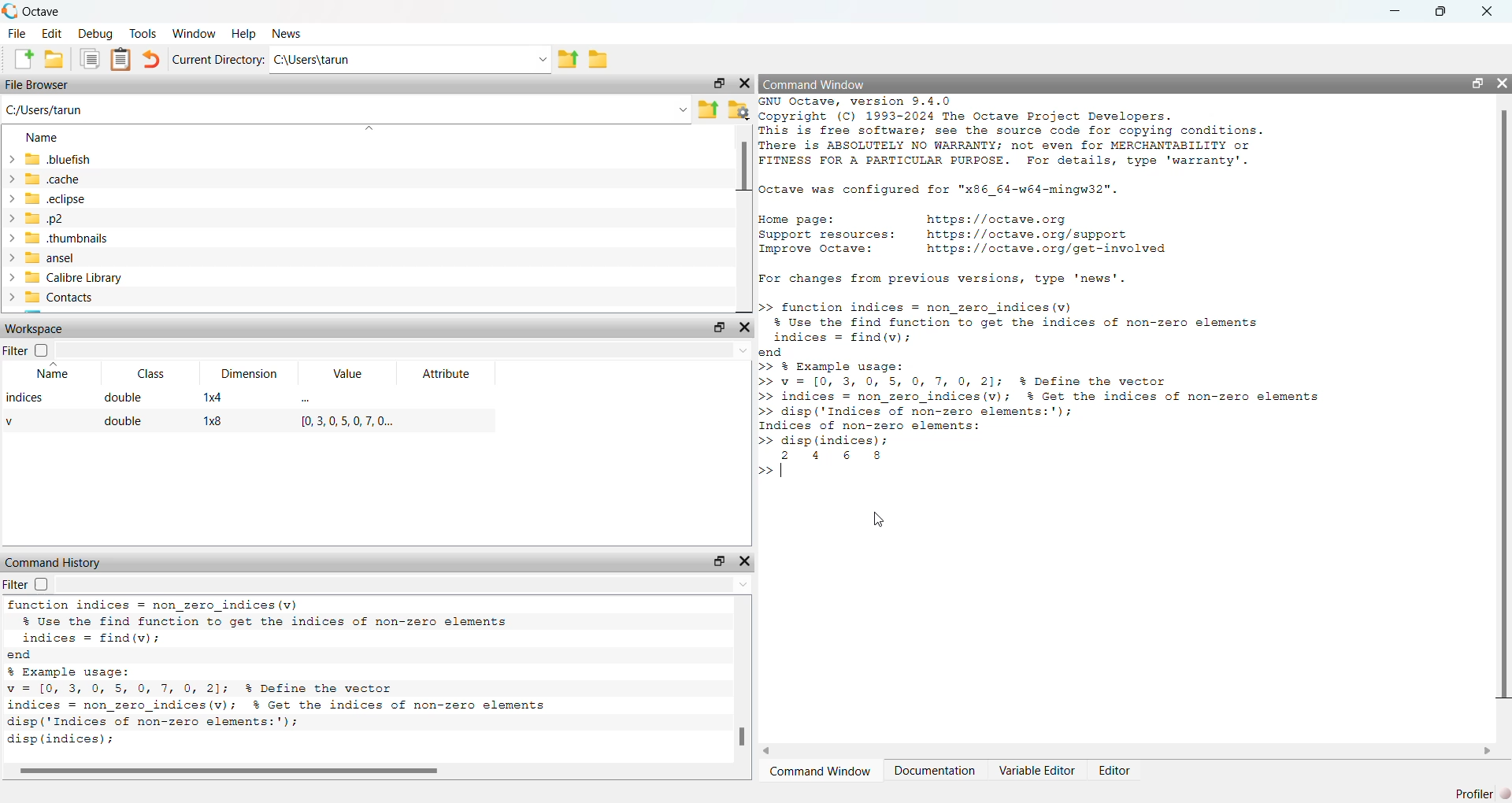 The height and width of the screenshot is (803, 1512). Describe the element at coordinates (46, 584) in the screenshot. I see `checkbox` at that location.